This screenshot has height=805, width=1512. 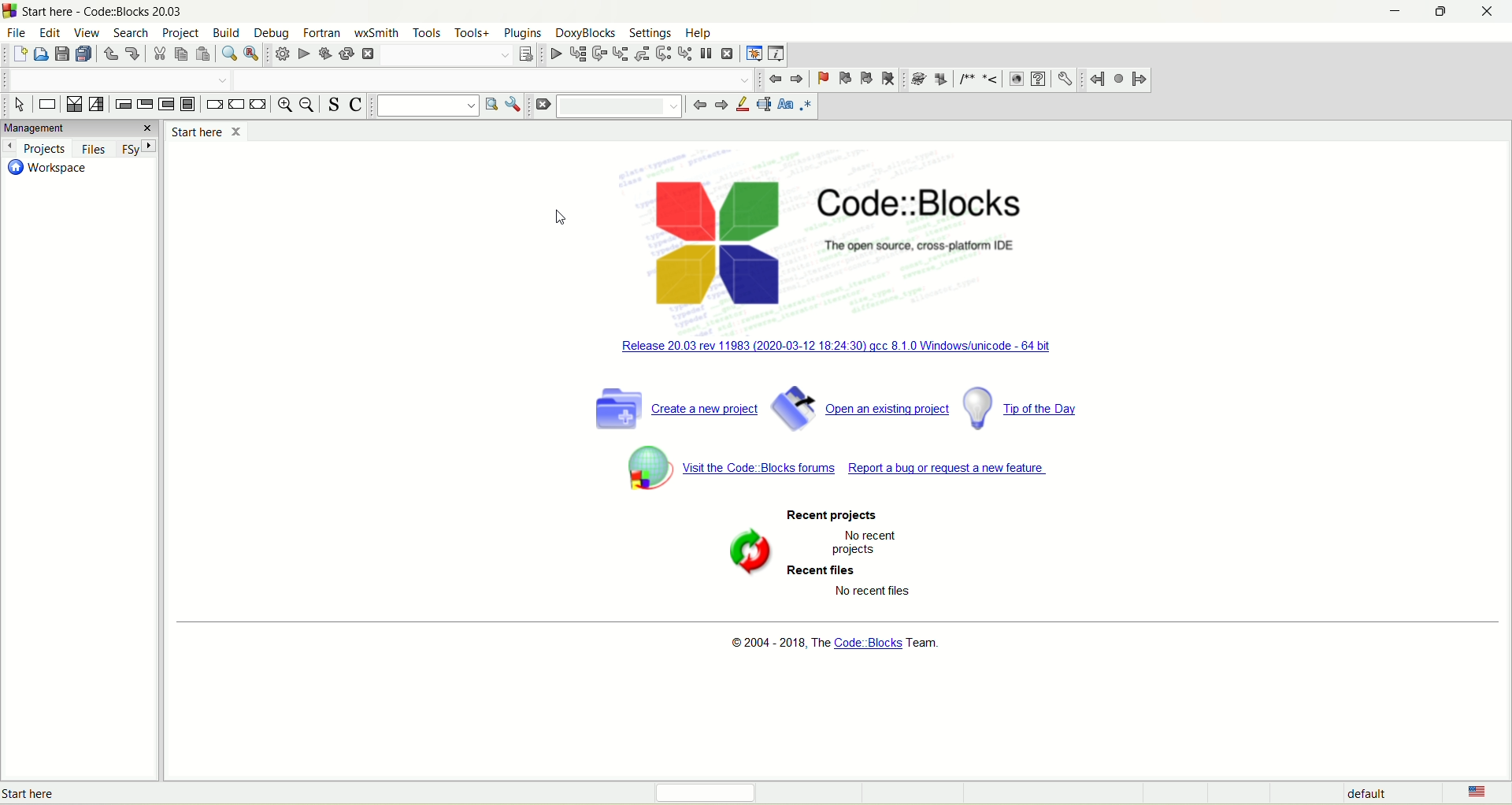 I want to click on default, so click(x=1368, y=795).